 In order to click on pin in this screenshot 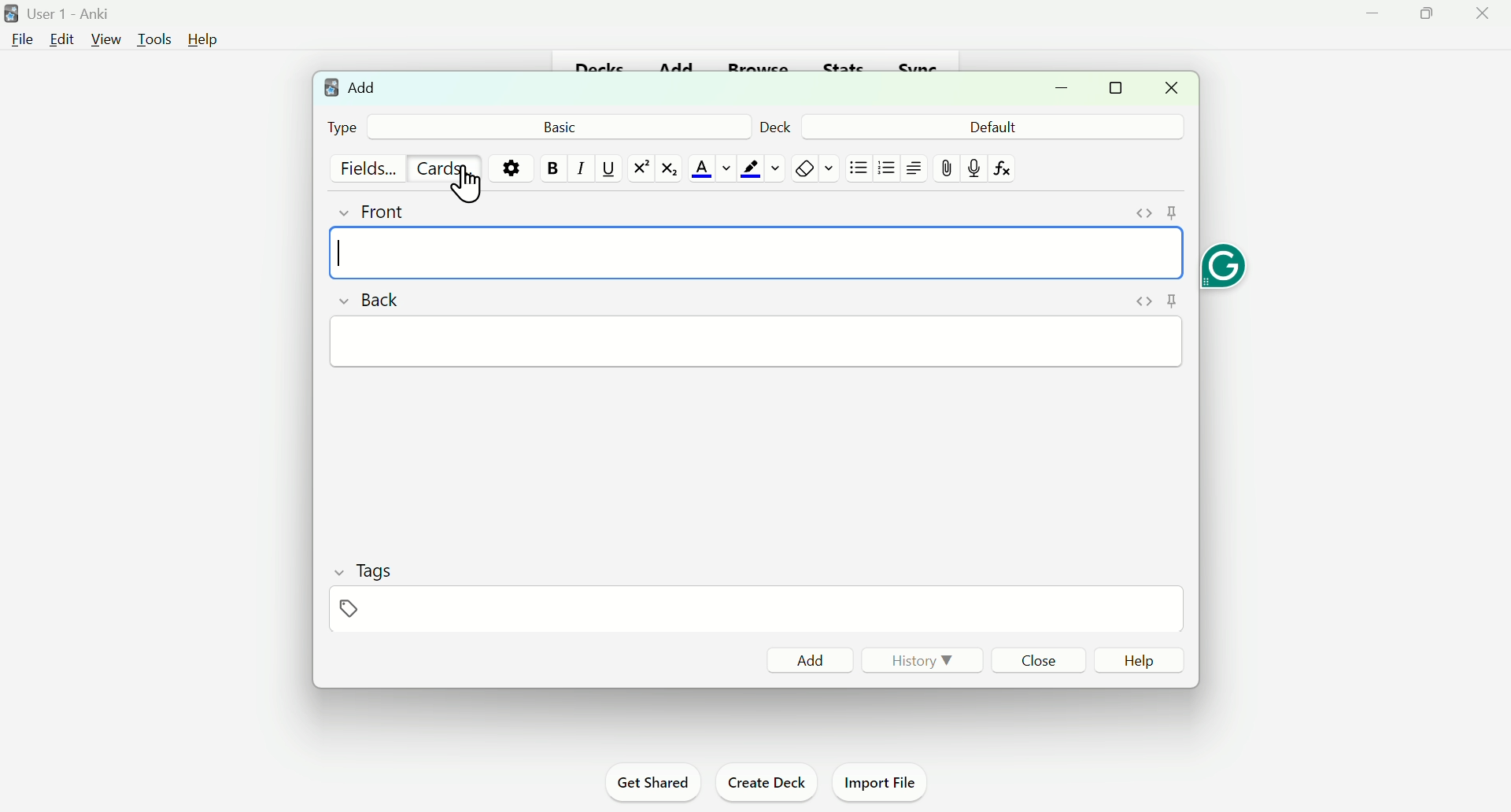, I will do `click(1173, 300)`.